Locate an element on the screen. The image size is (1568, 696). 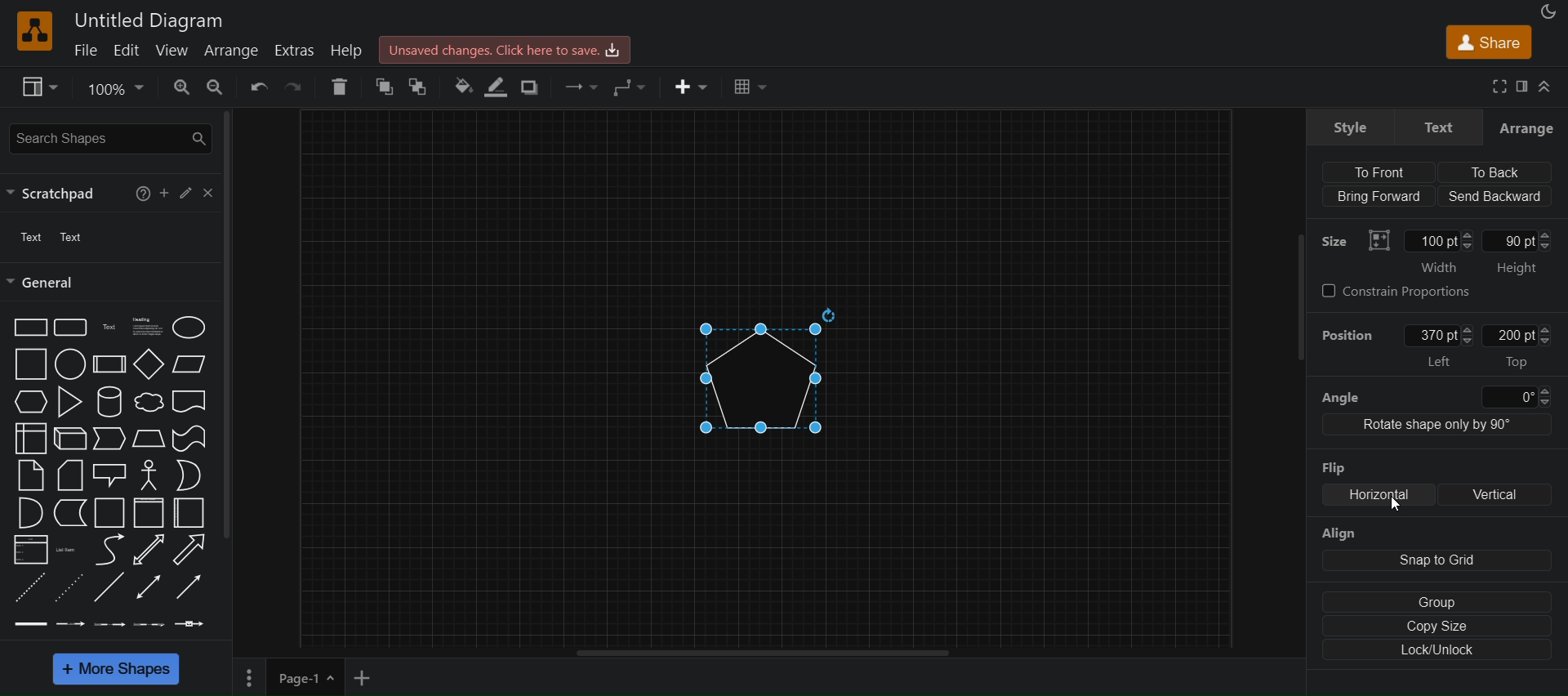
Connector with 3 labels is located at coordinates (149, 625).